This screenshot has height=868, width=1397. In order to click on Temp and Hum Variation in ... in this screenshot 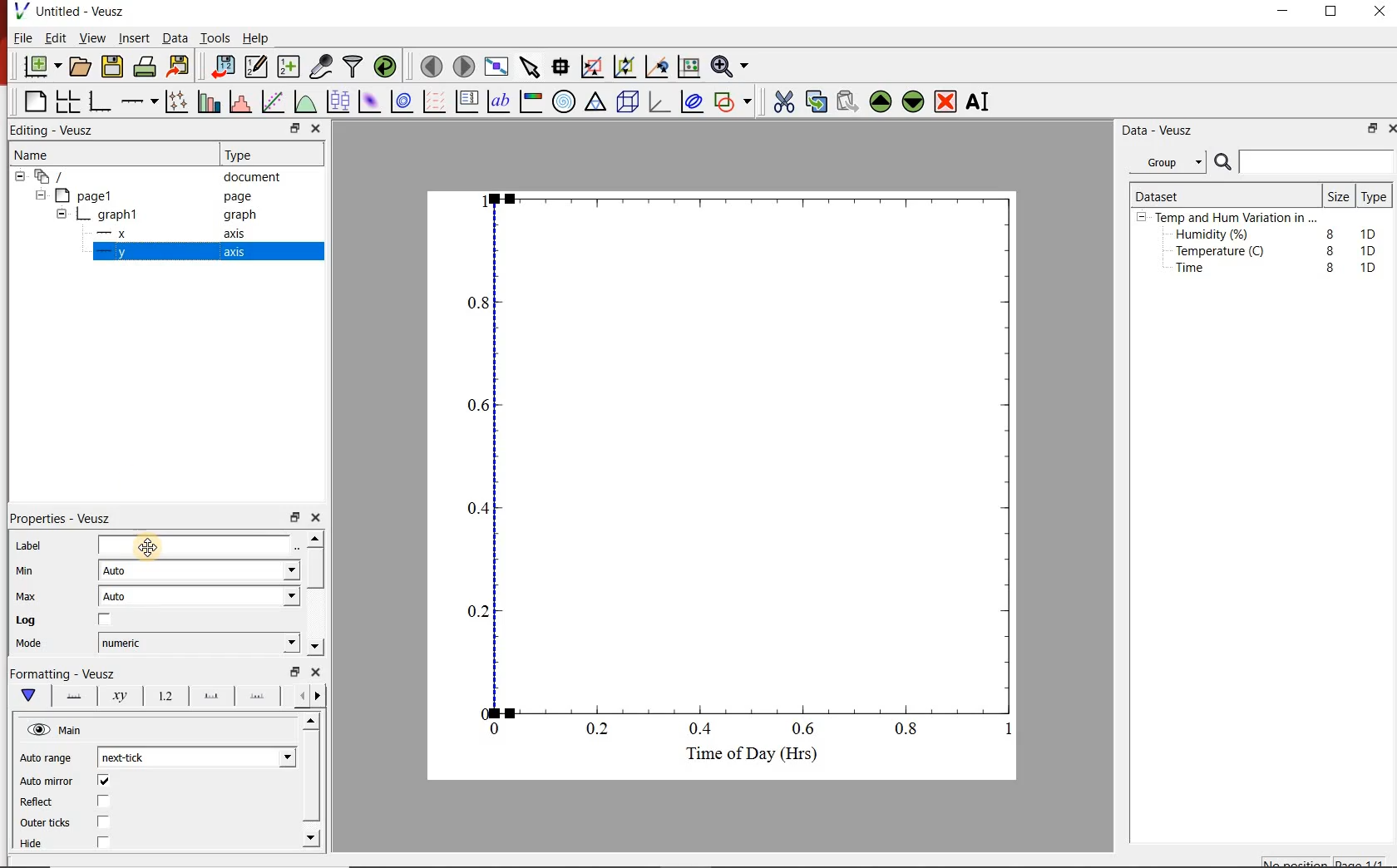, I will do `click(1236, 218)`.